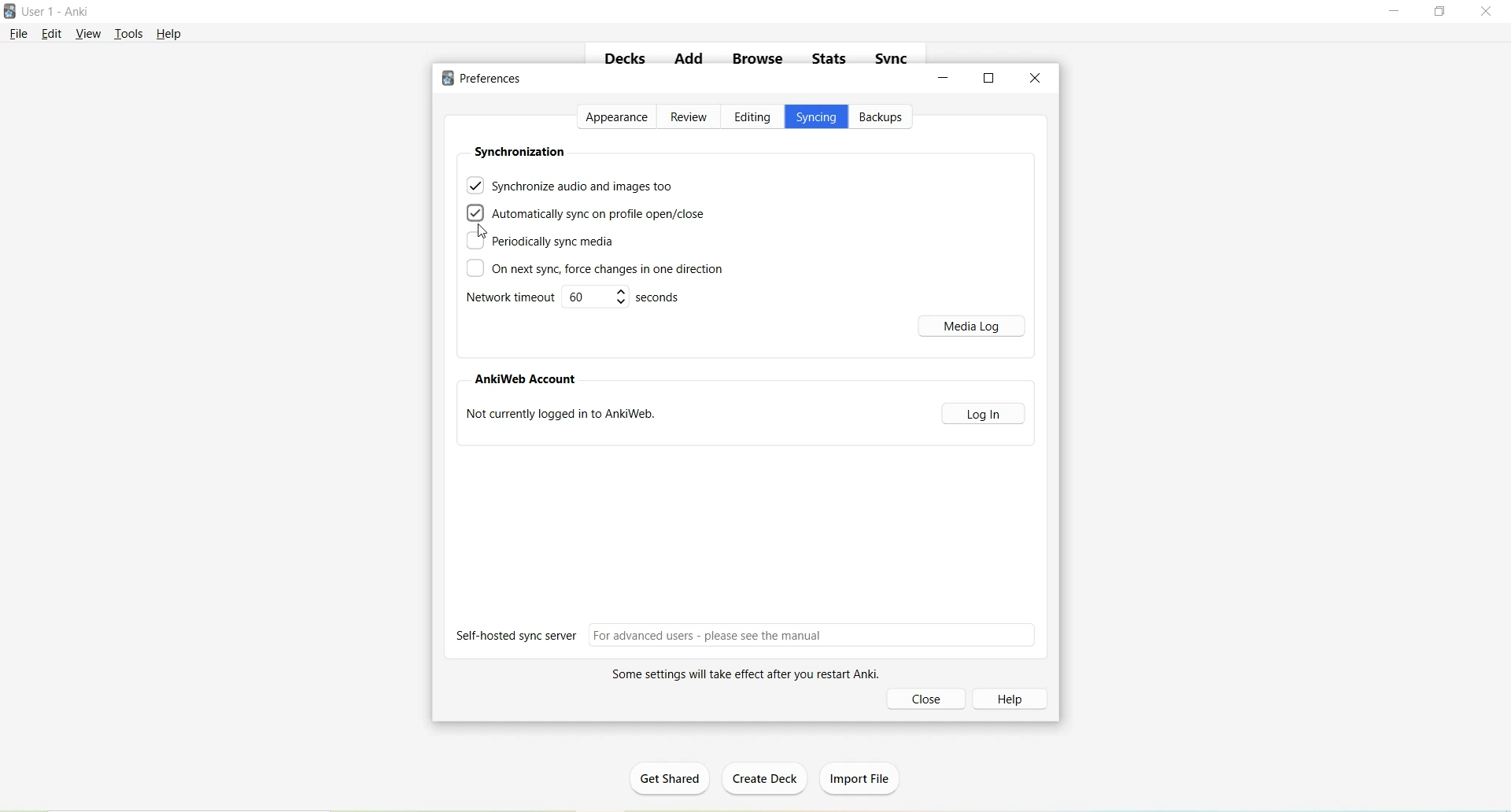  I want to click on Automatically sync on profile open/close, so click(604, 214).